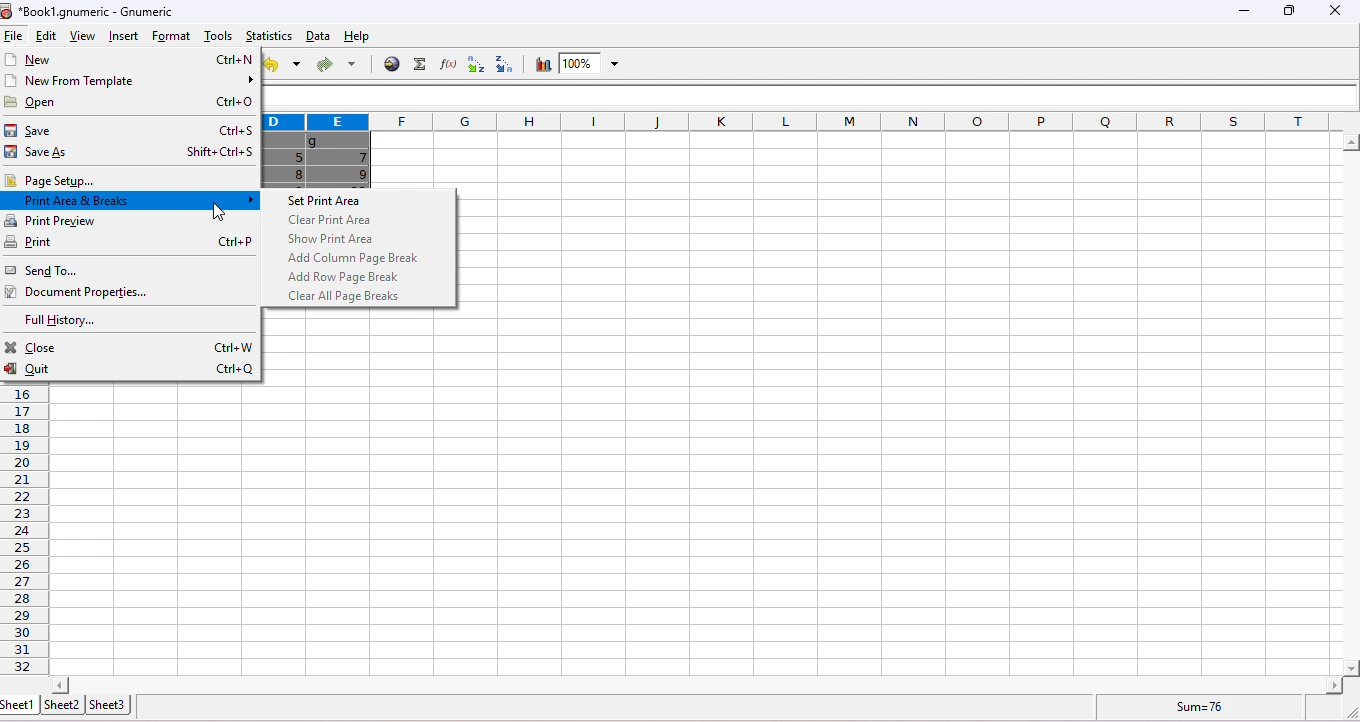  Describe the element at coordinates (1241, 14) in the screenshot. I see `minimize` at that location.